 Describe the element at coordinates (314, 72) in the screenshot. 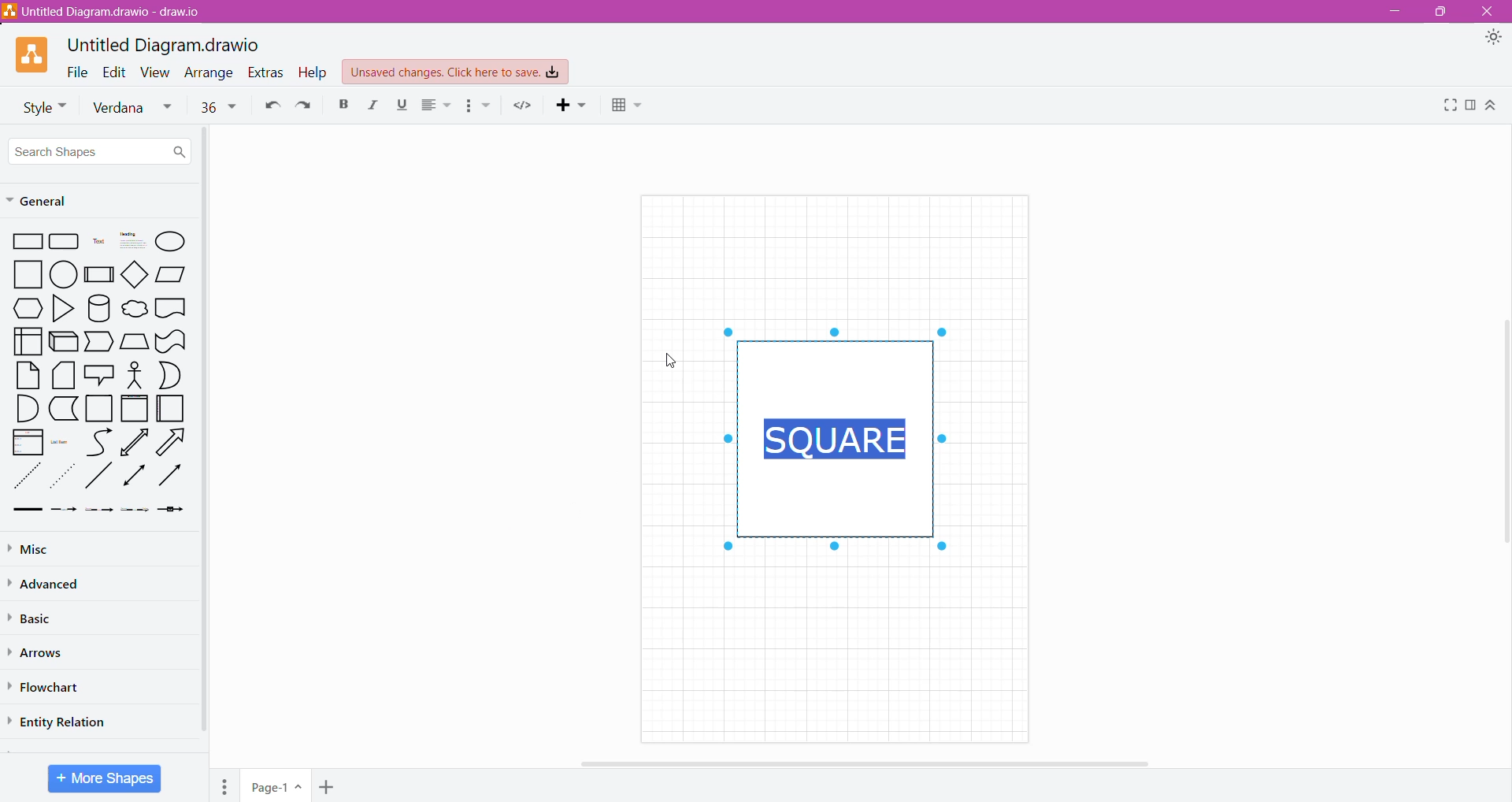

I see `Help` at that location.